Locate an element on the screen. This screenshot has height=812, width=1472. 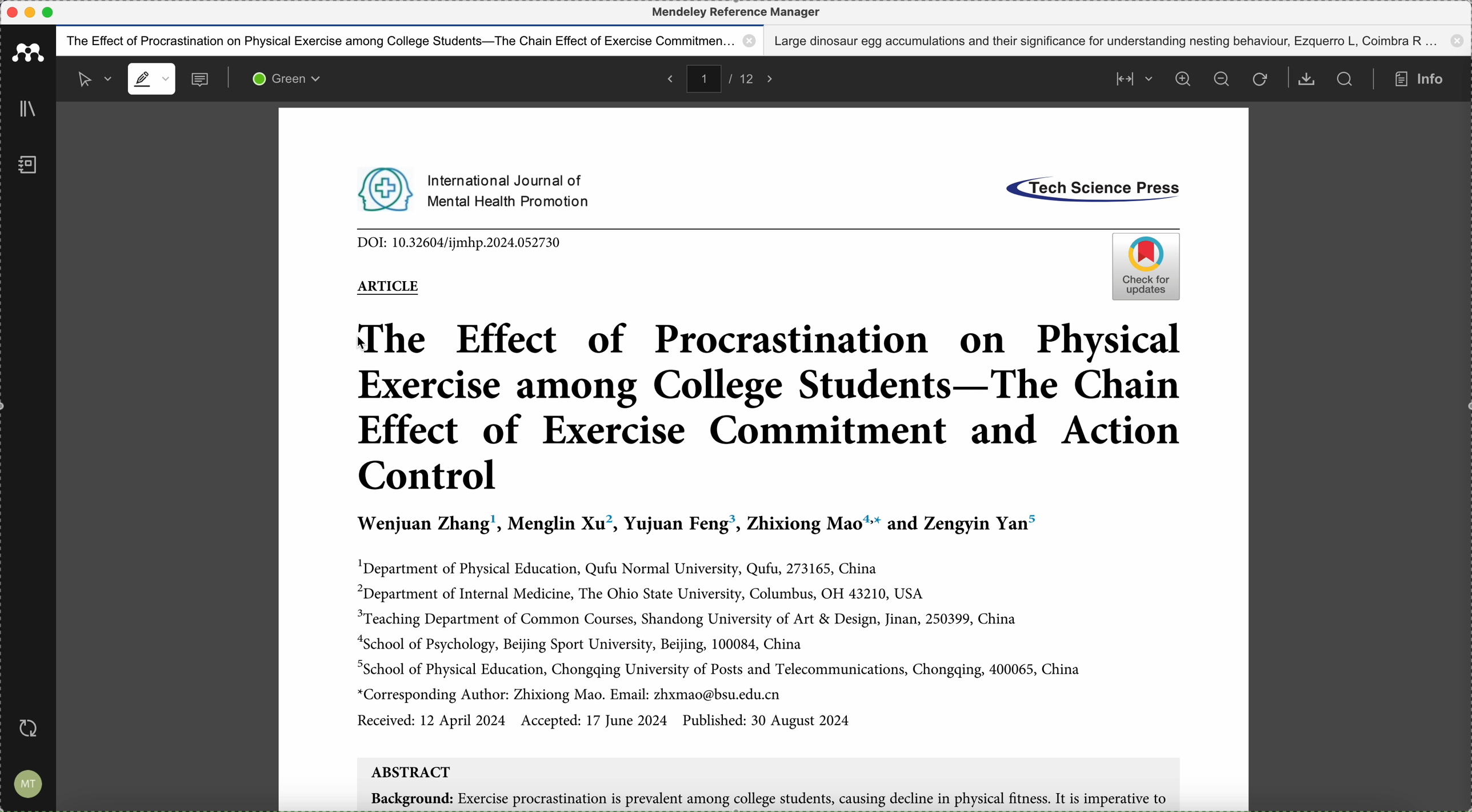
pdf opened is located at coordinates (767, 459).